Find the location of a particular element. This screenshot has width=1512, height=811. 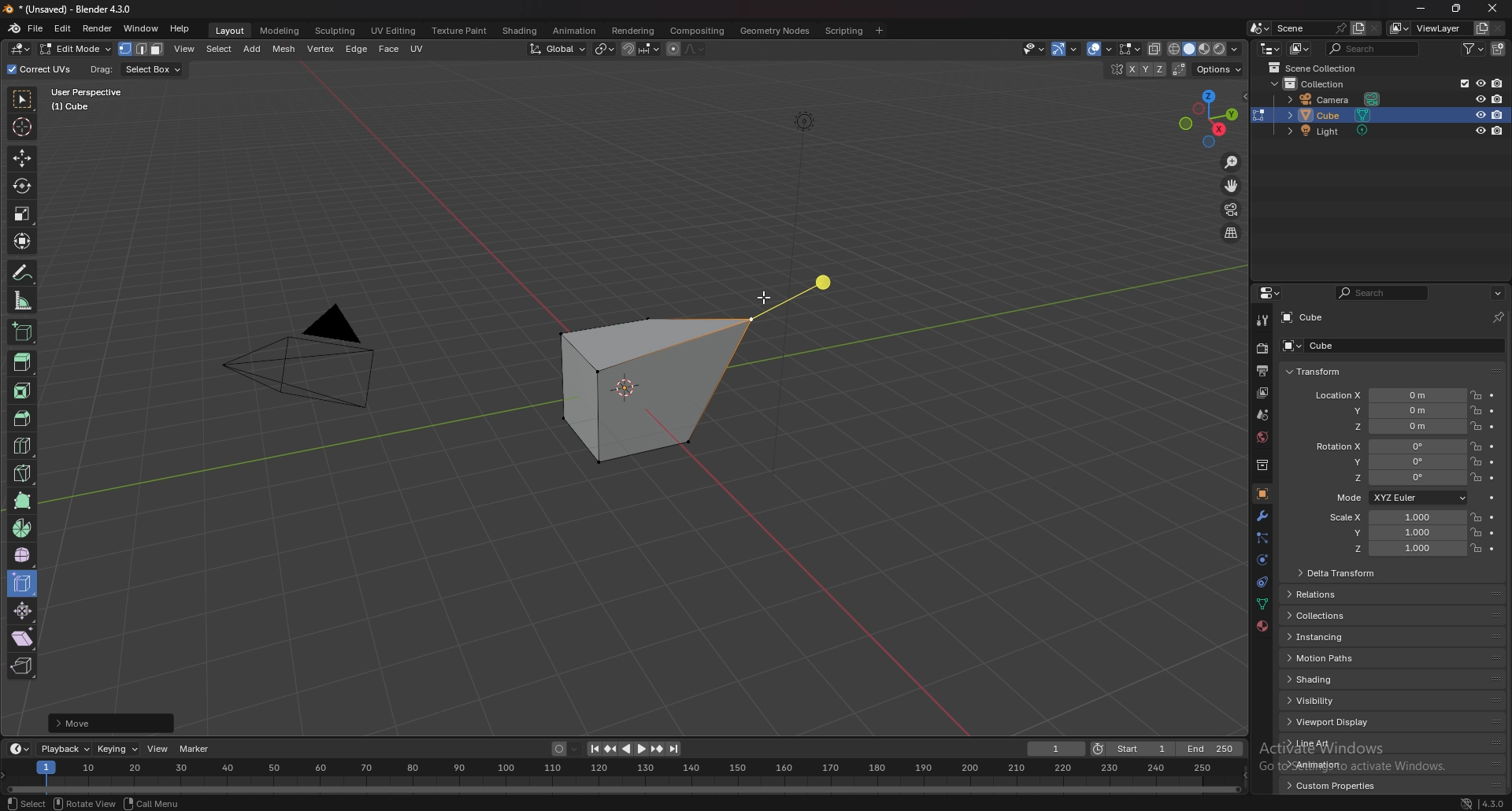

animate property is located at coordinates (1492, 462).